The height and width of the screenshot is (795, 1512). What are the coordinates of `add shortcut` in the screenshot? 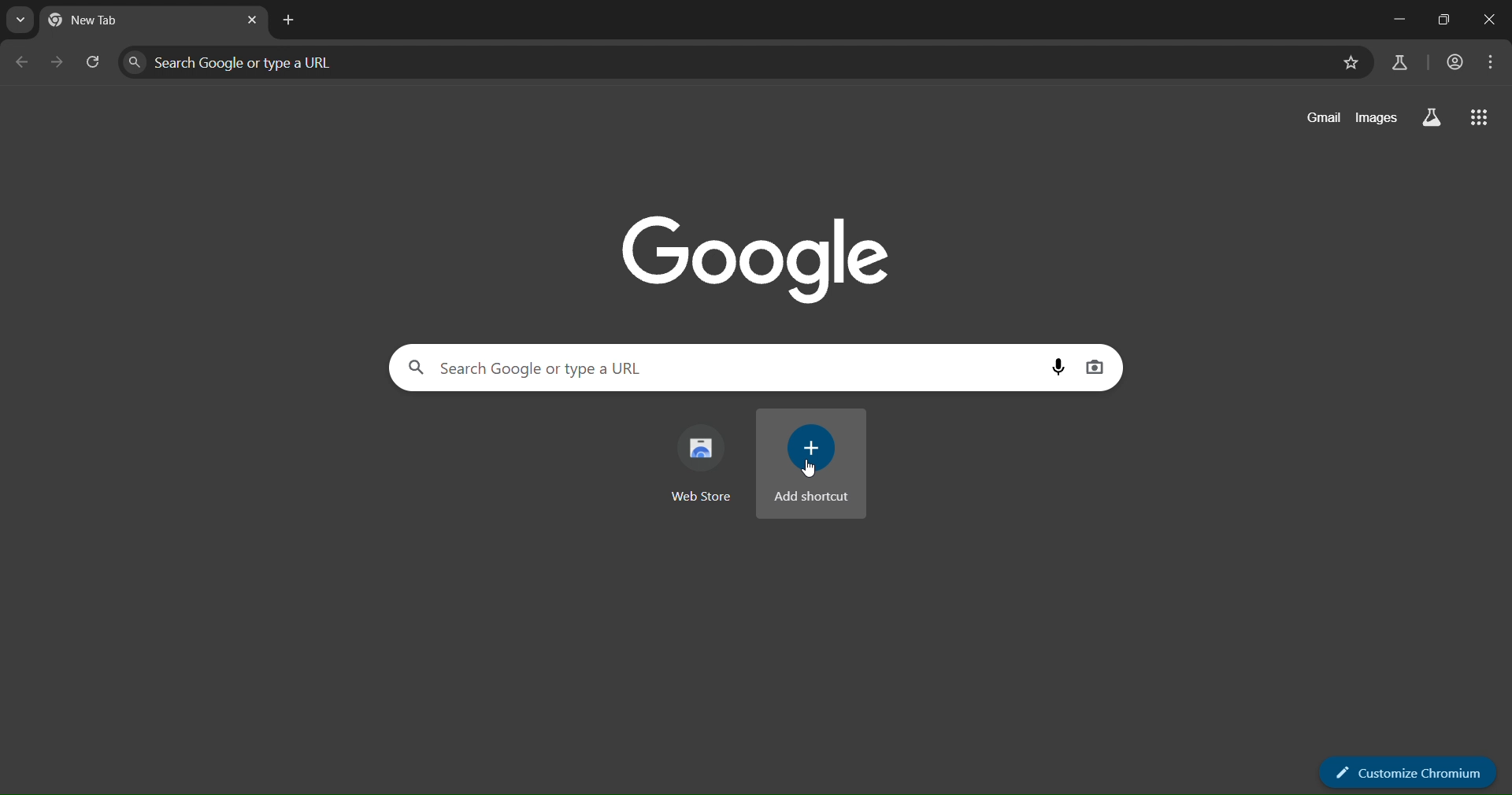 It's located at (811, 463).